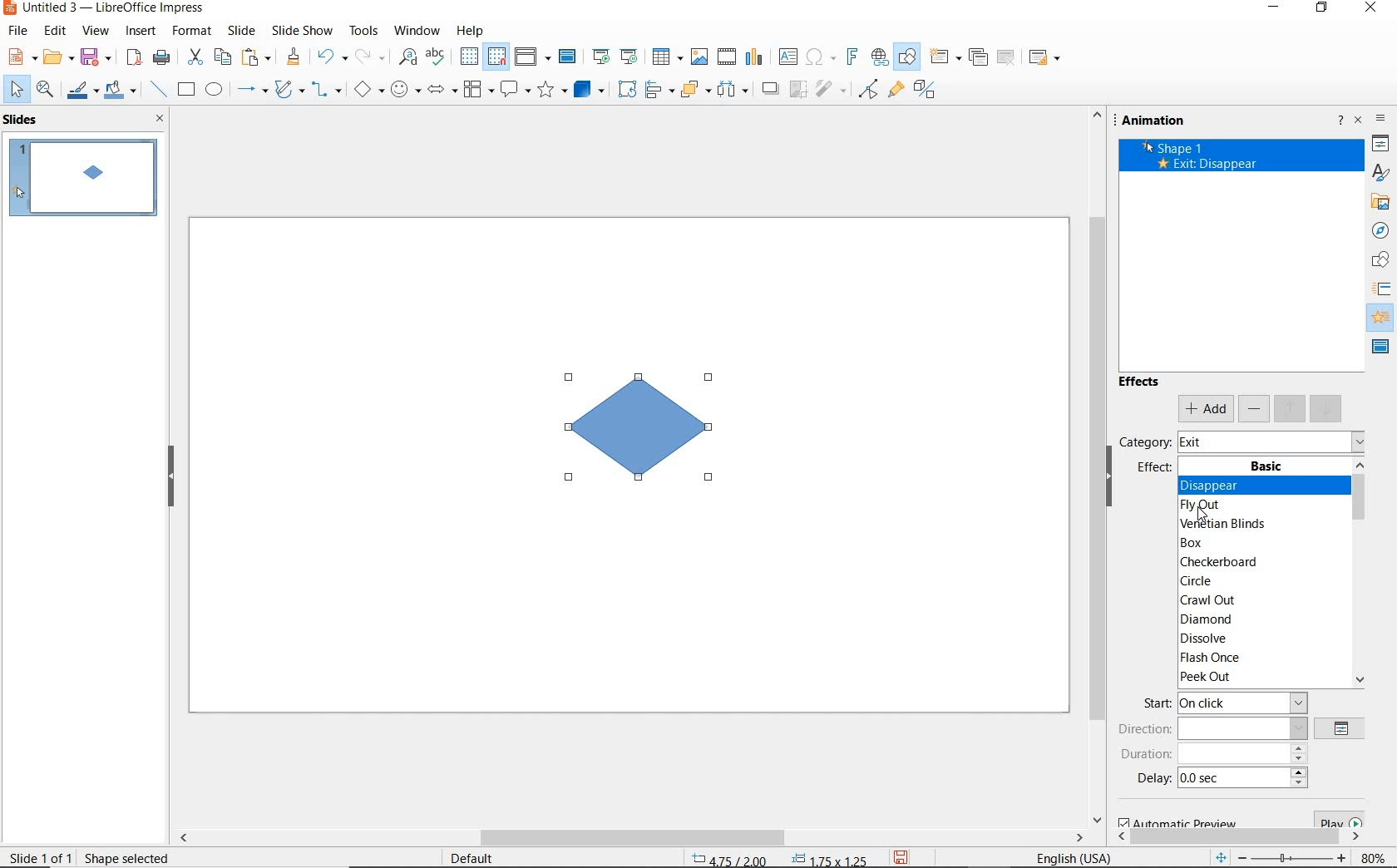  What do you see at coordinates (1174, 823) in the screenshot?
I see `automatic preview` at bounding box center [1174, 823].